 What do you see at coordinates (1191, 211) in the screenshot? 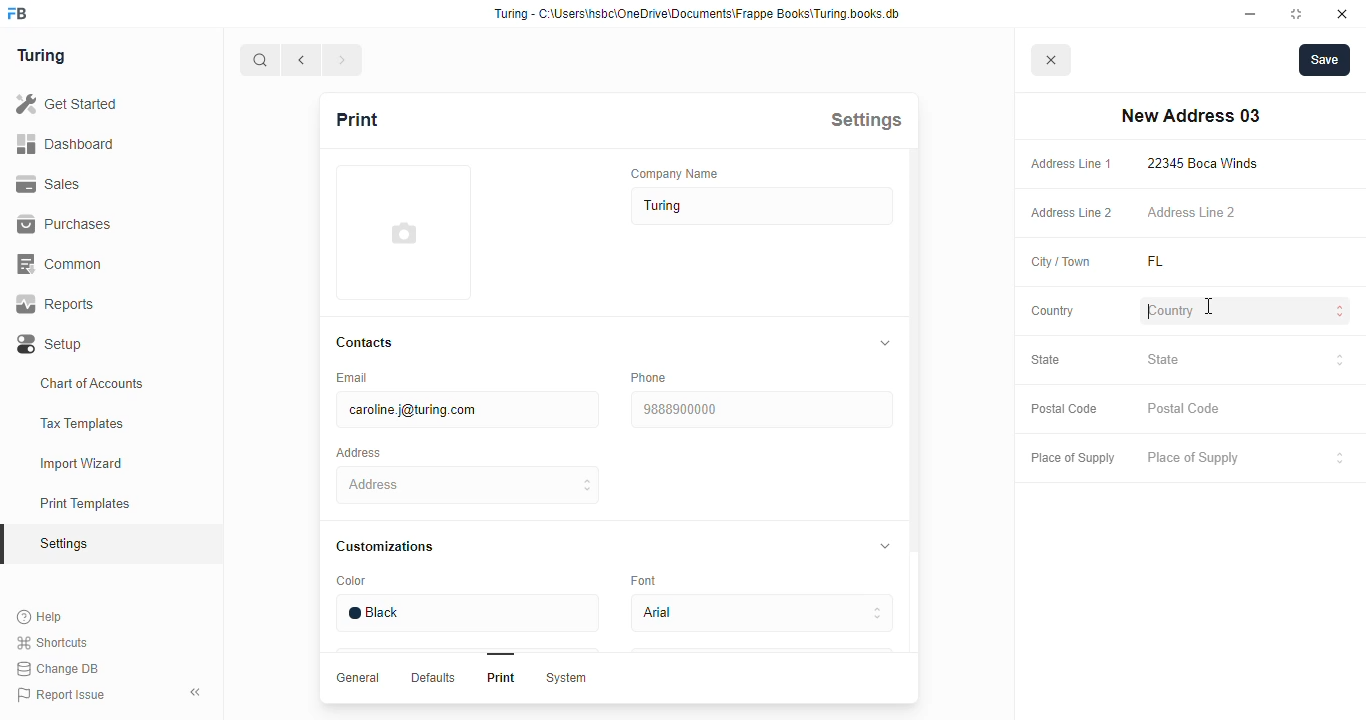
I see `address line 2` at bounding box center [1191, 211].